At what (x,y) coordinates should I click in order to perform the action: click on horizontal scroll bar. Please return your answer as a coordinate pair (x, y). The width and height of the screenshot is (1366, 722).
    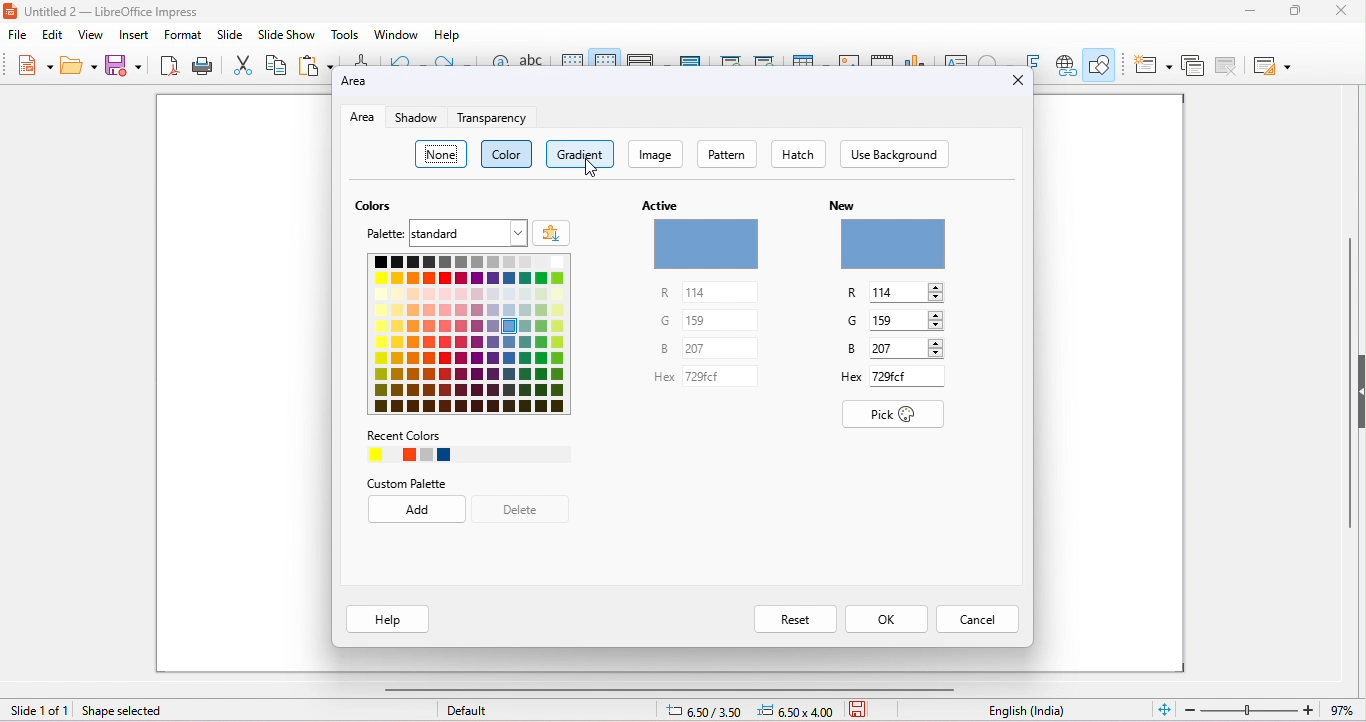
    Looking at the image, I should click on (673, 689).